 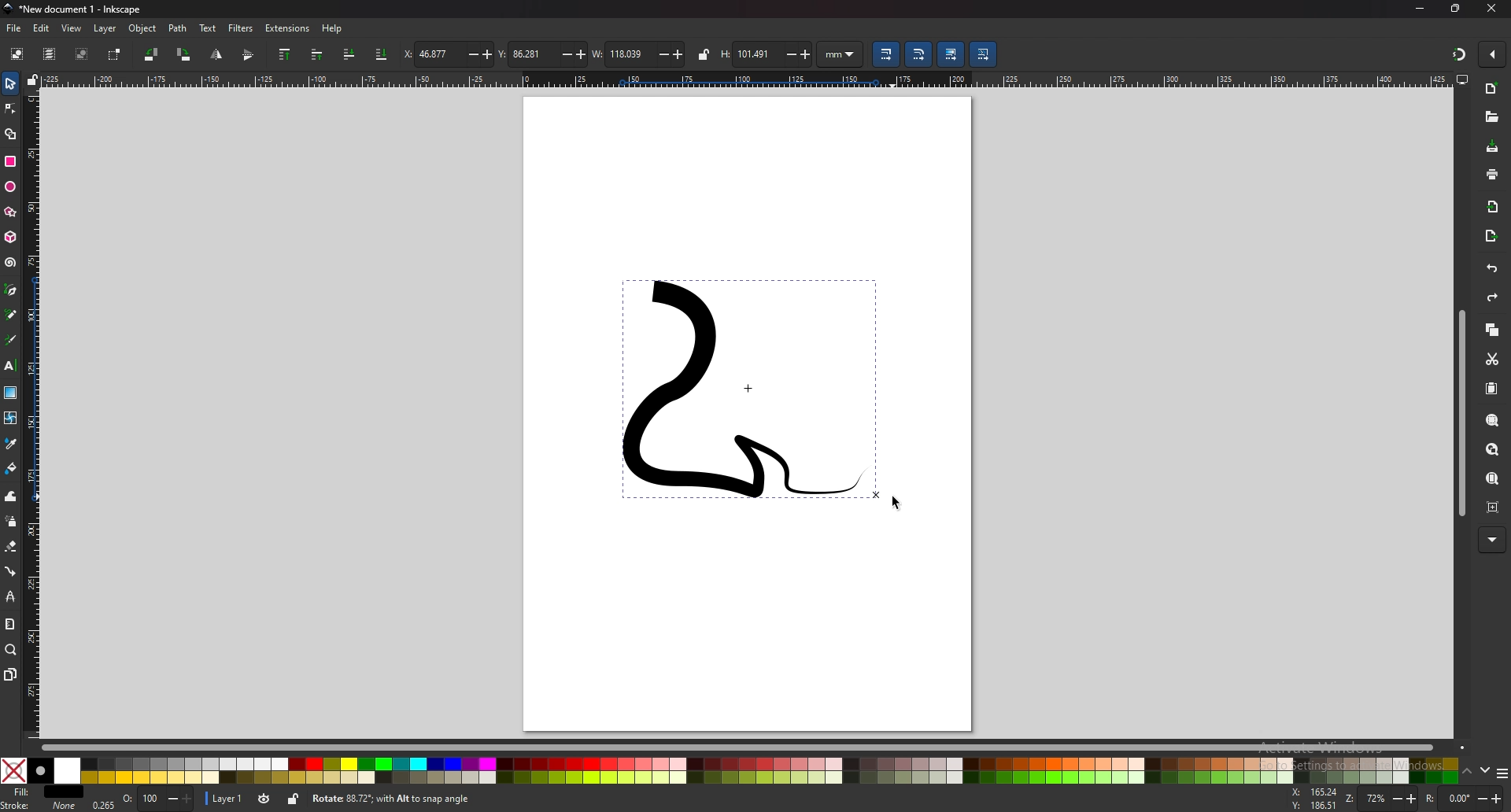 What do you see at coordinates (1491, 538) in the screenshot?
I see `MORE` at bounding box center [1491, 538].